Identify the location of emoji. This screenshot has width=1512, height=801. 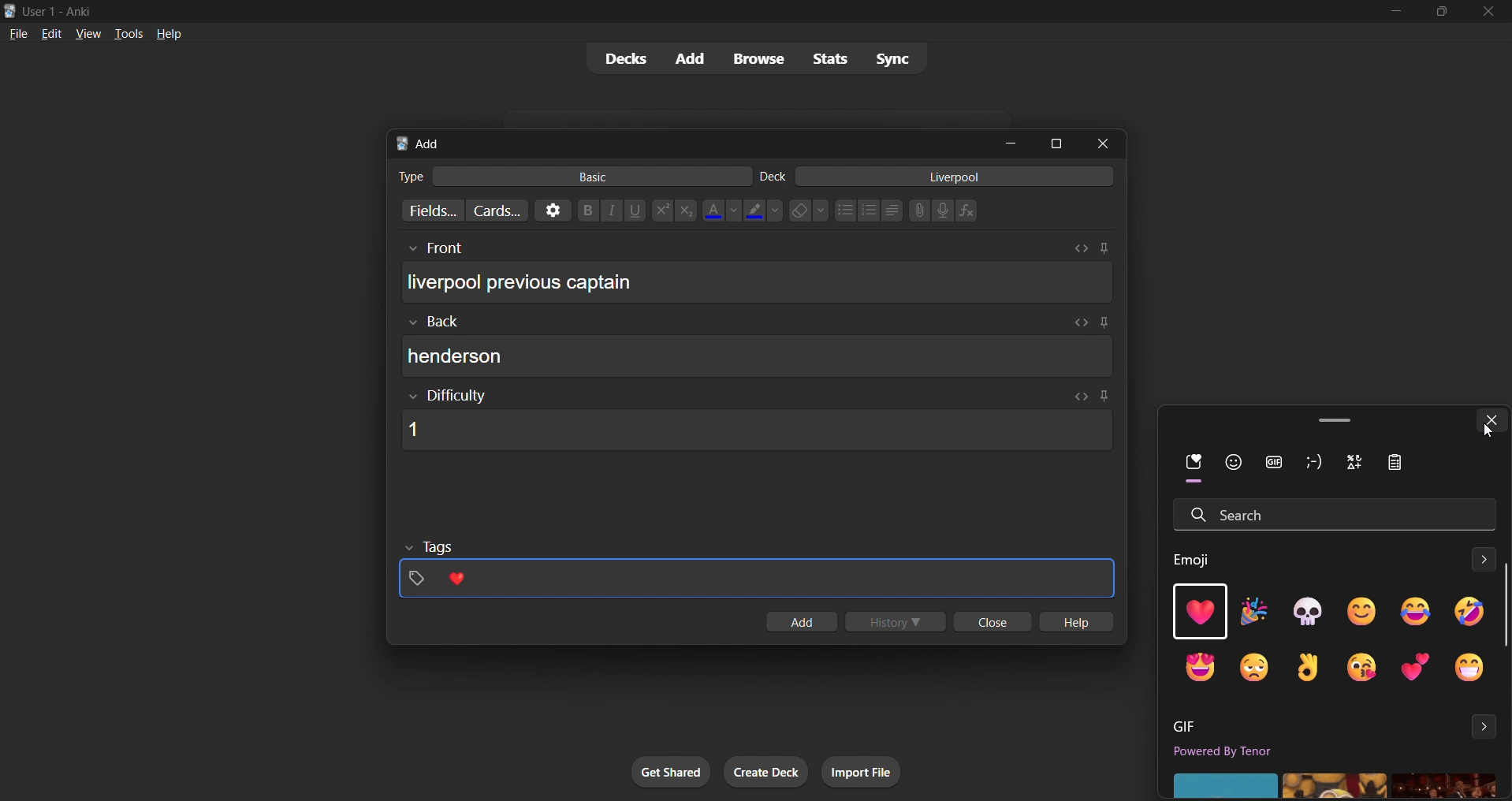
(1254, 613).